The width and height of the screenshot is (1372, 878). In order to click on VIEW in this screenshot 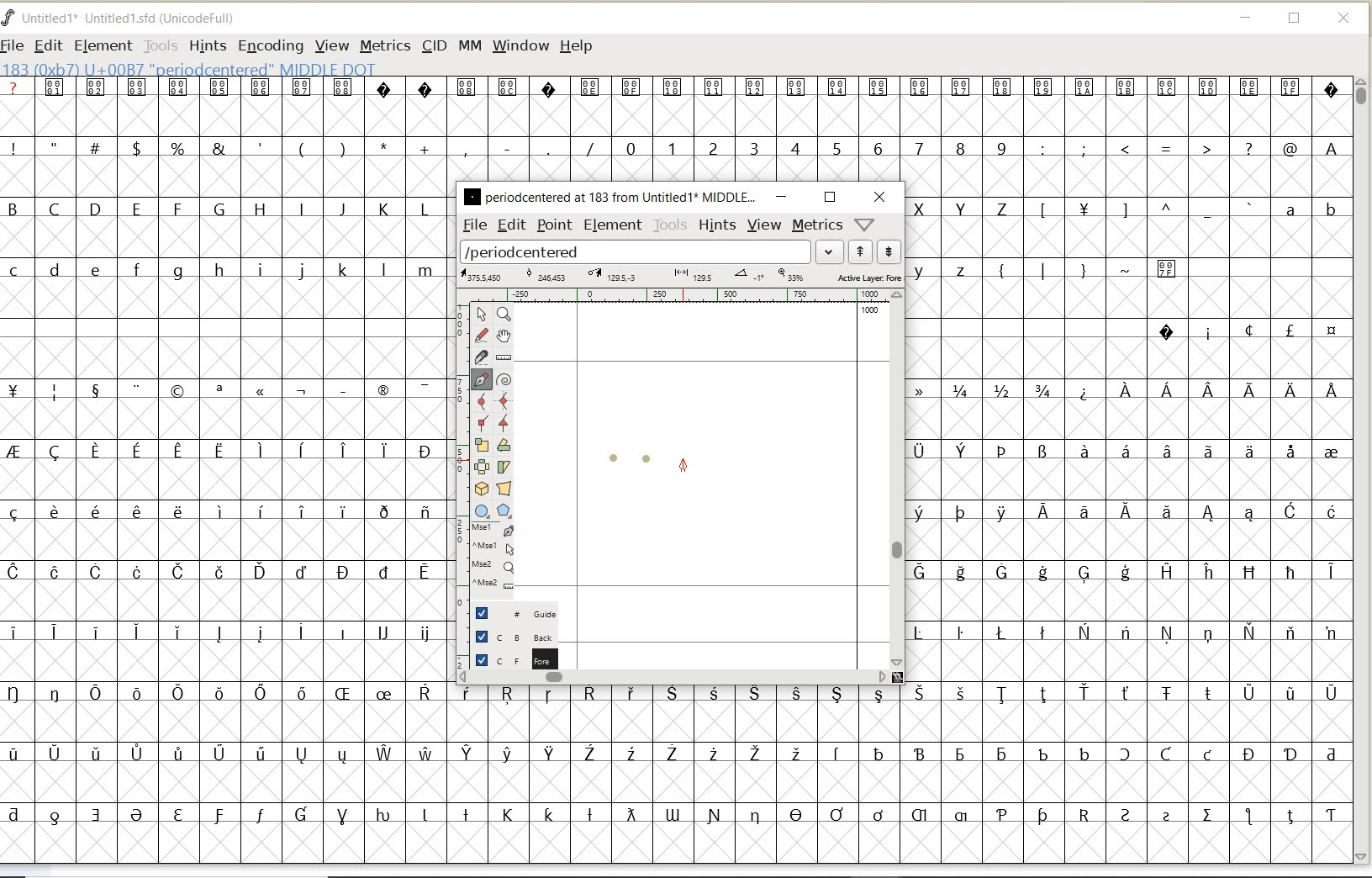, I will do `click(332, 46)`.